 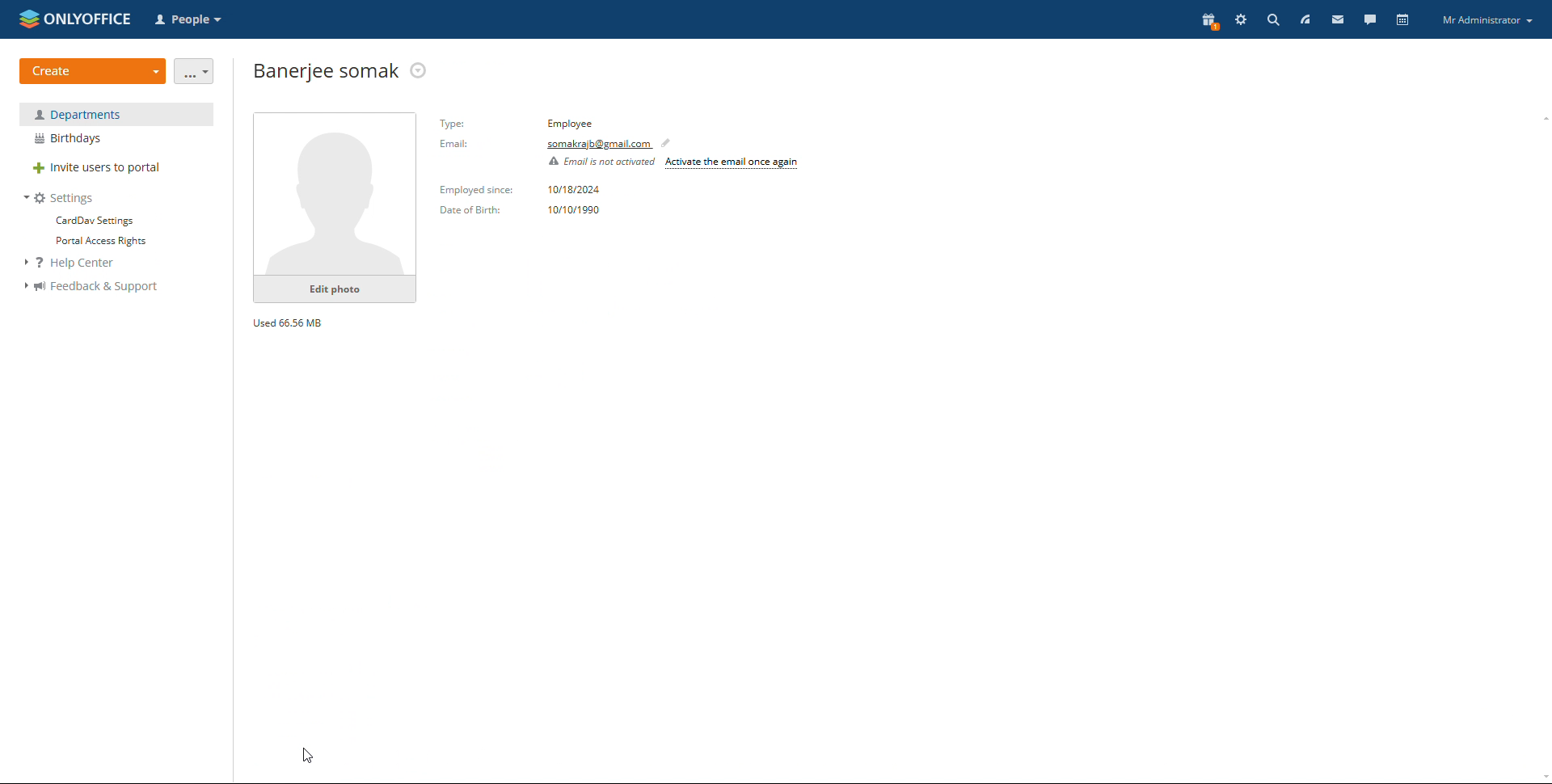 What do you see at coordinates (453, 123) in the screenshot?
I see `Type:` at bounding box center [453, 123].